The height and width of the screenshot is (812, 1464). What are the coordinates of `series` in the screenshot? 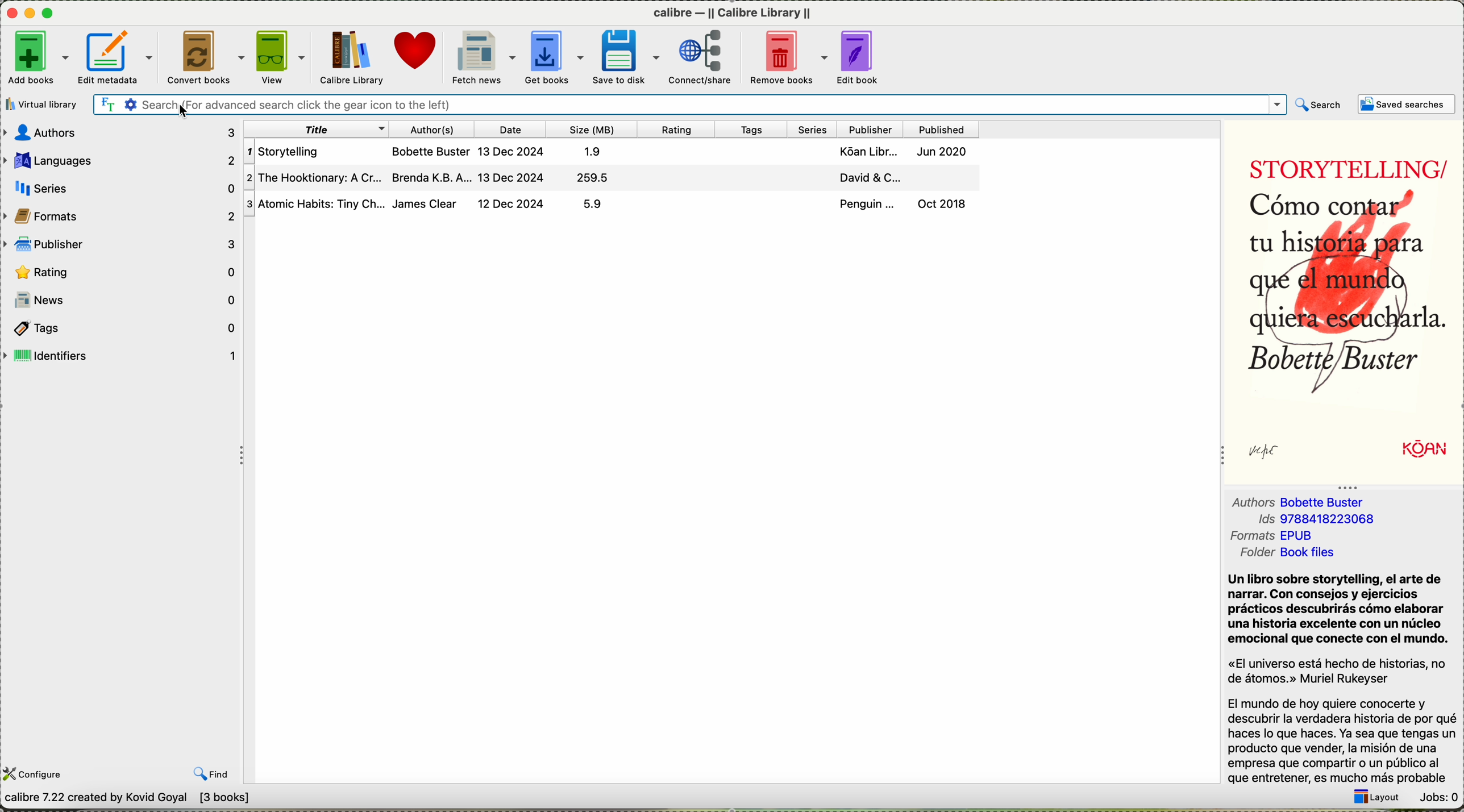 It's located at (814, 129).